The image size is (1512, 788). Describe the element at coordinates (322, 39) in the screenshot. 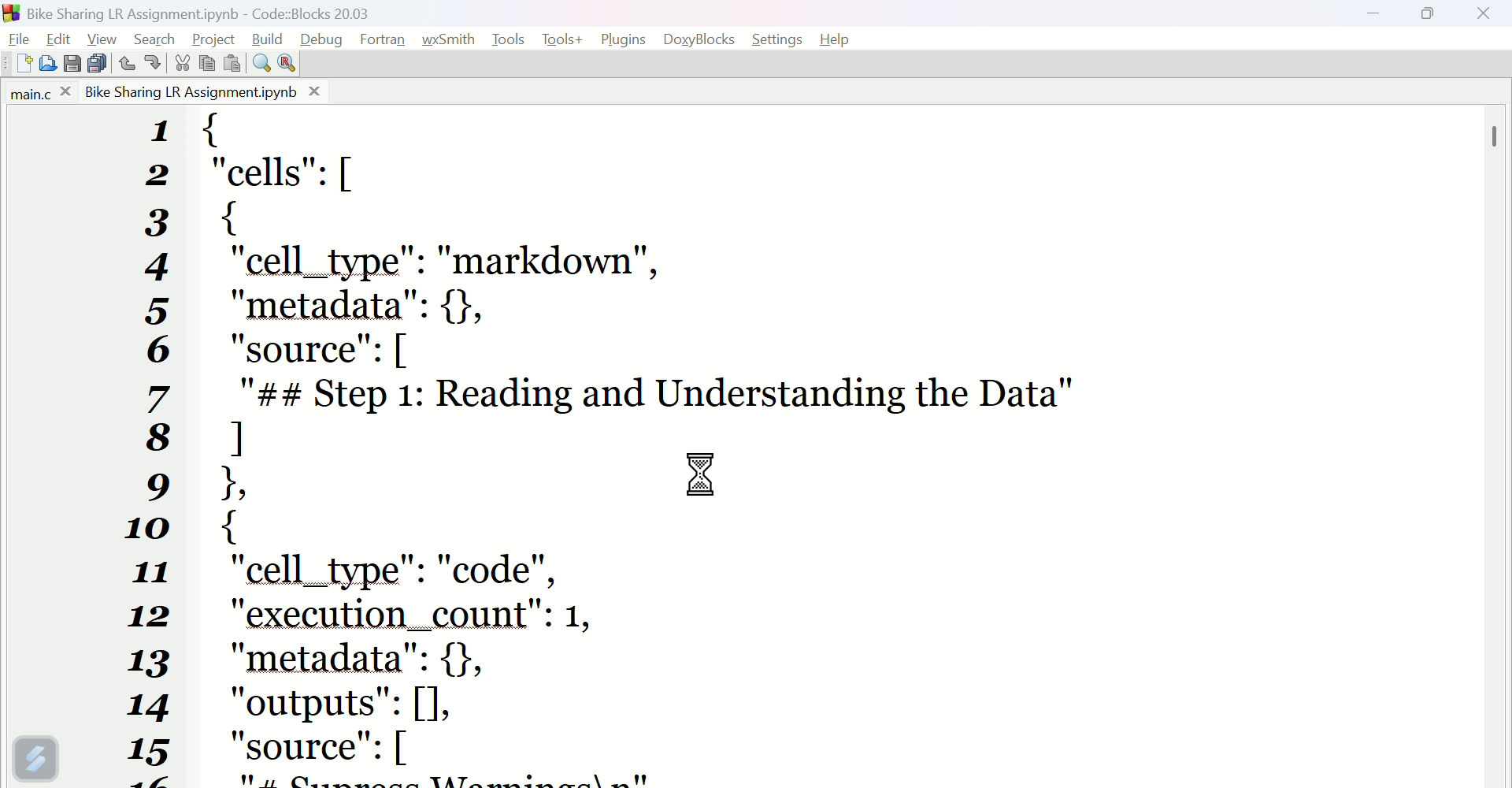

I see `Debug` at that location.